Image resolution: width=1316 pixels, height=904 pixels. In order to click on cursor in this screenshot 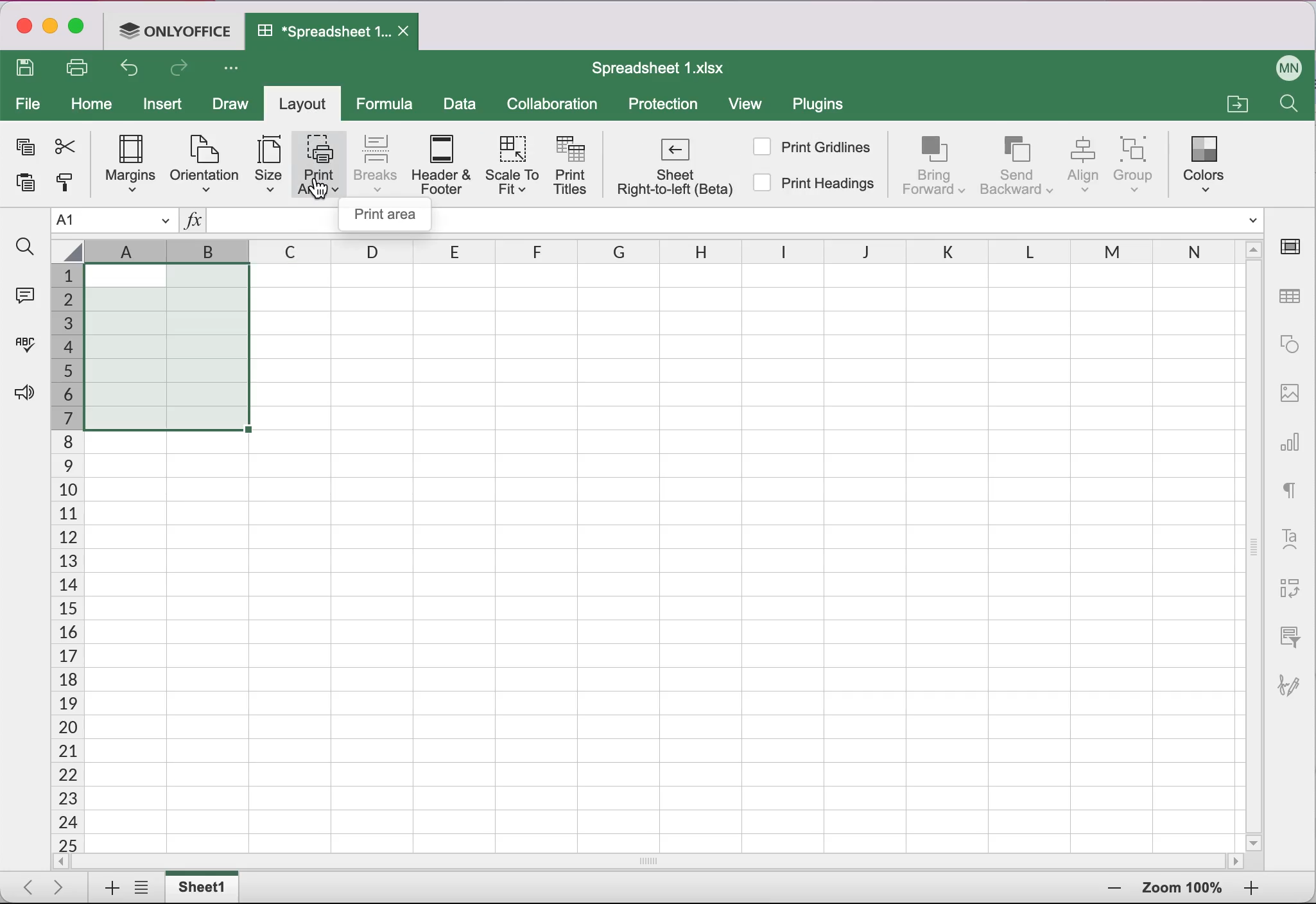, I will do `click(318, 189)`.